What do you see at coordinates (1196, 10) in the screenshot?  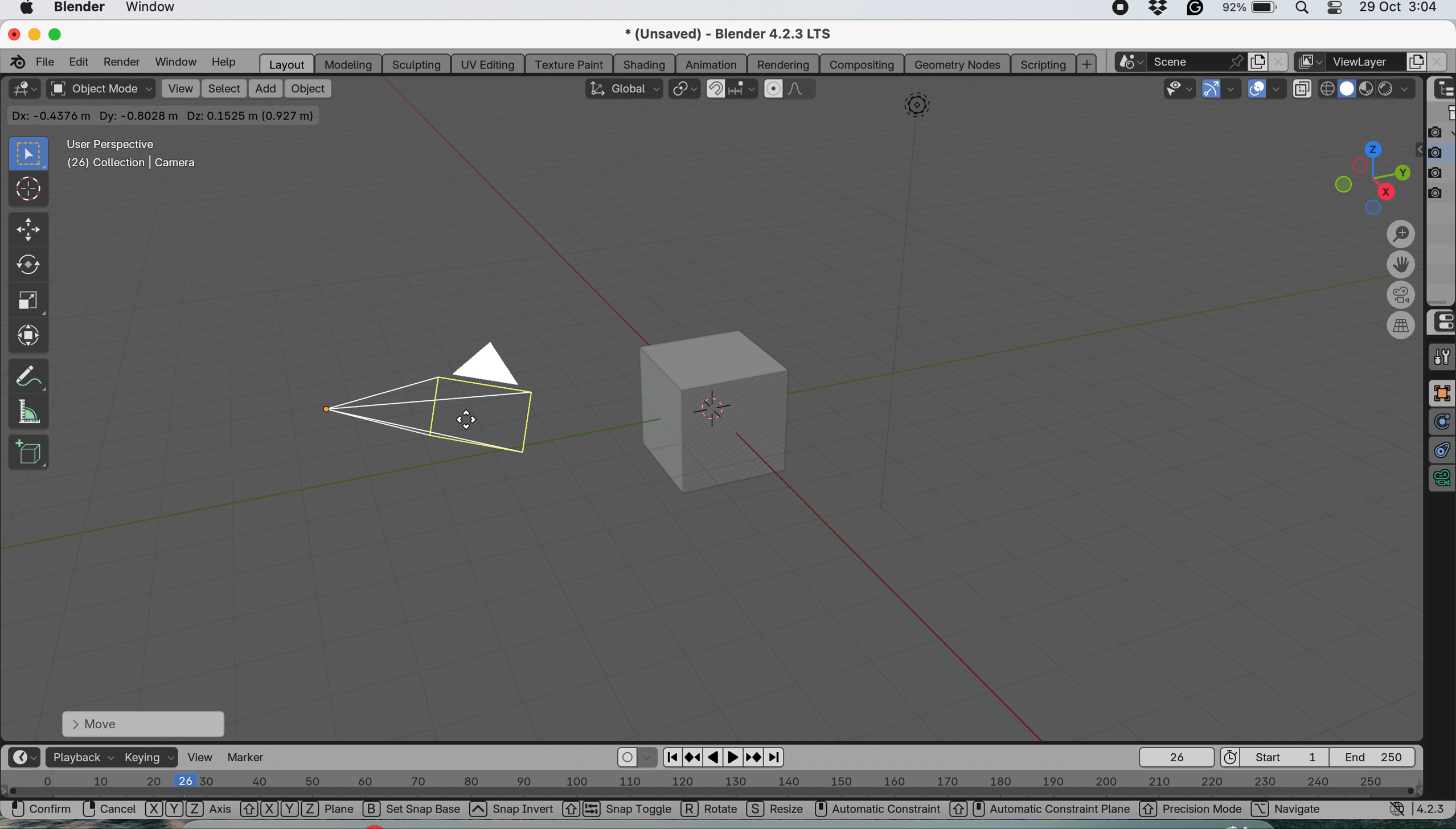 I see `grammarly` at bounding box center [1196, 10].